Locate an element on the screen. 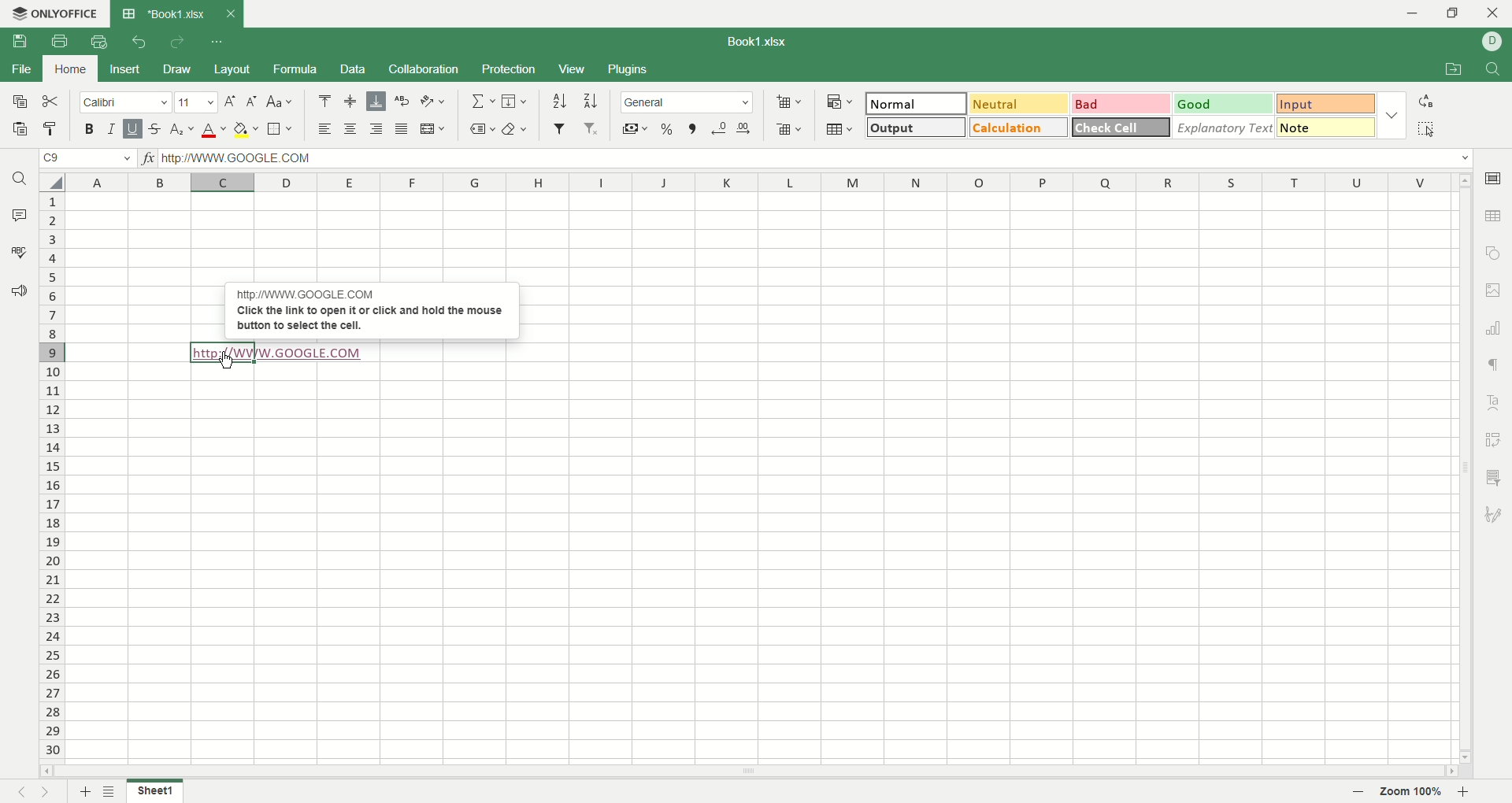 Image resolution: width=1512 pixels, height=803 pixels. column name is located at coordinates (764, 182).